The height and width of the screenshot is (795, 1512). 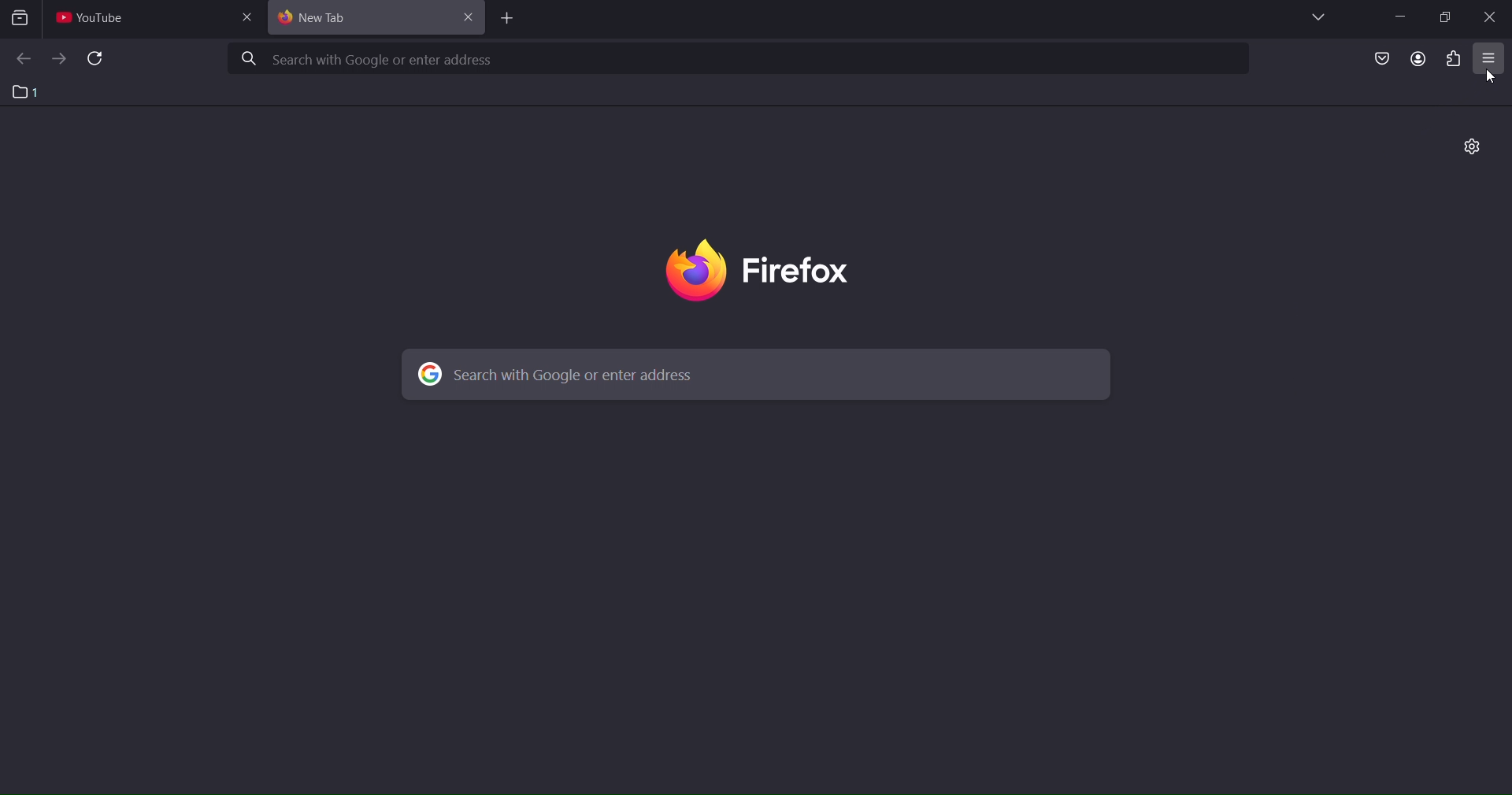 What do you see at coordinates (797, 270) in the screenshot?
I see `image` at bounding box center [797, 270].